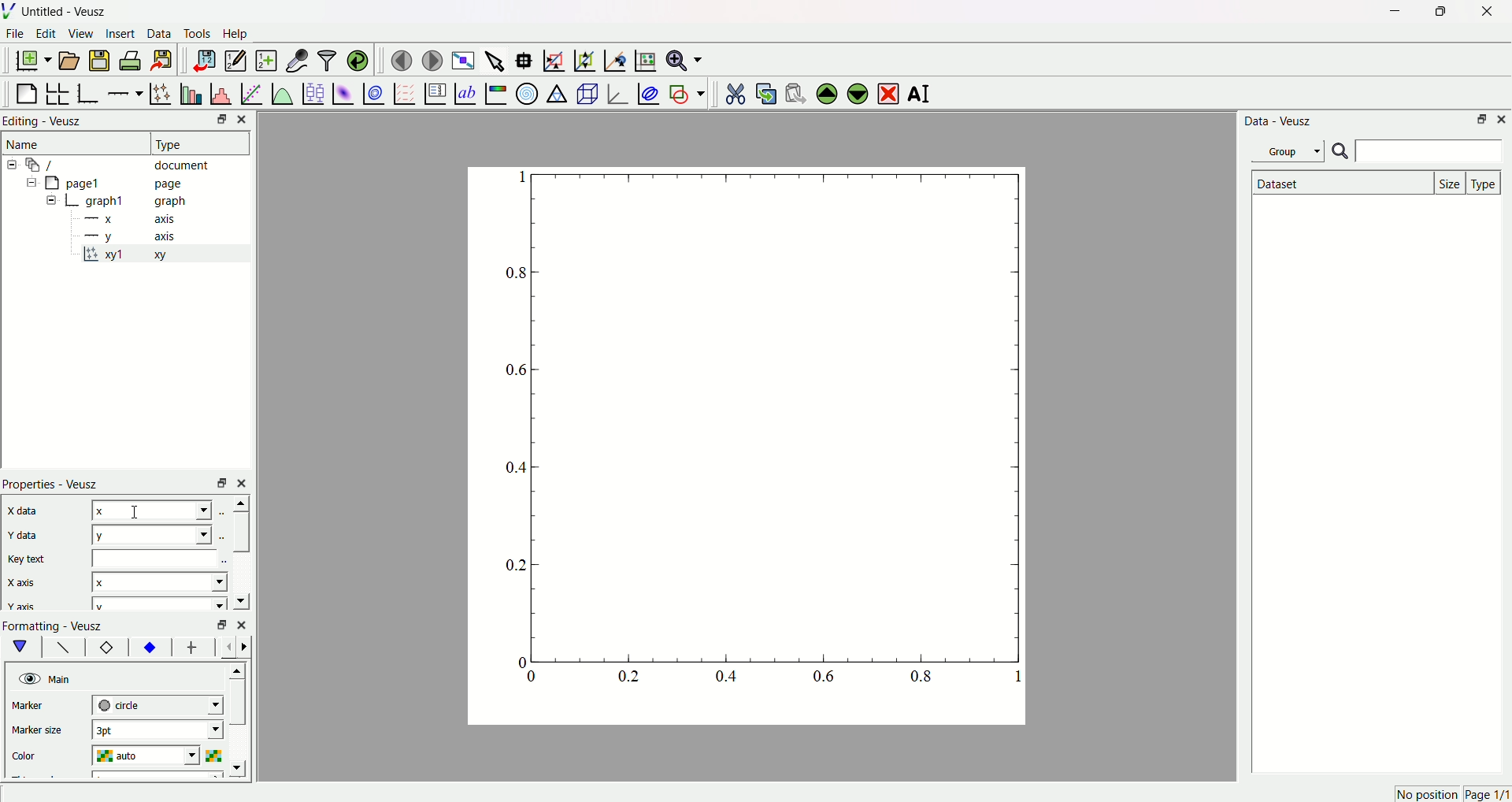  I want to click on auto, so click(150, 756).